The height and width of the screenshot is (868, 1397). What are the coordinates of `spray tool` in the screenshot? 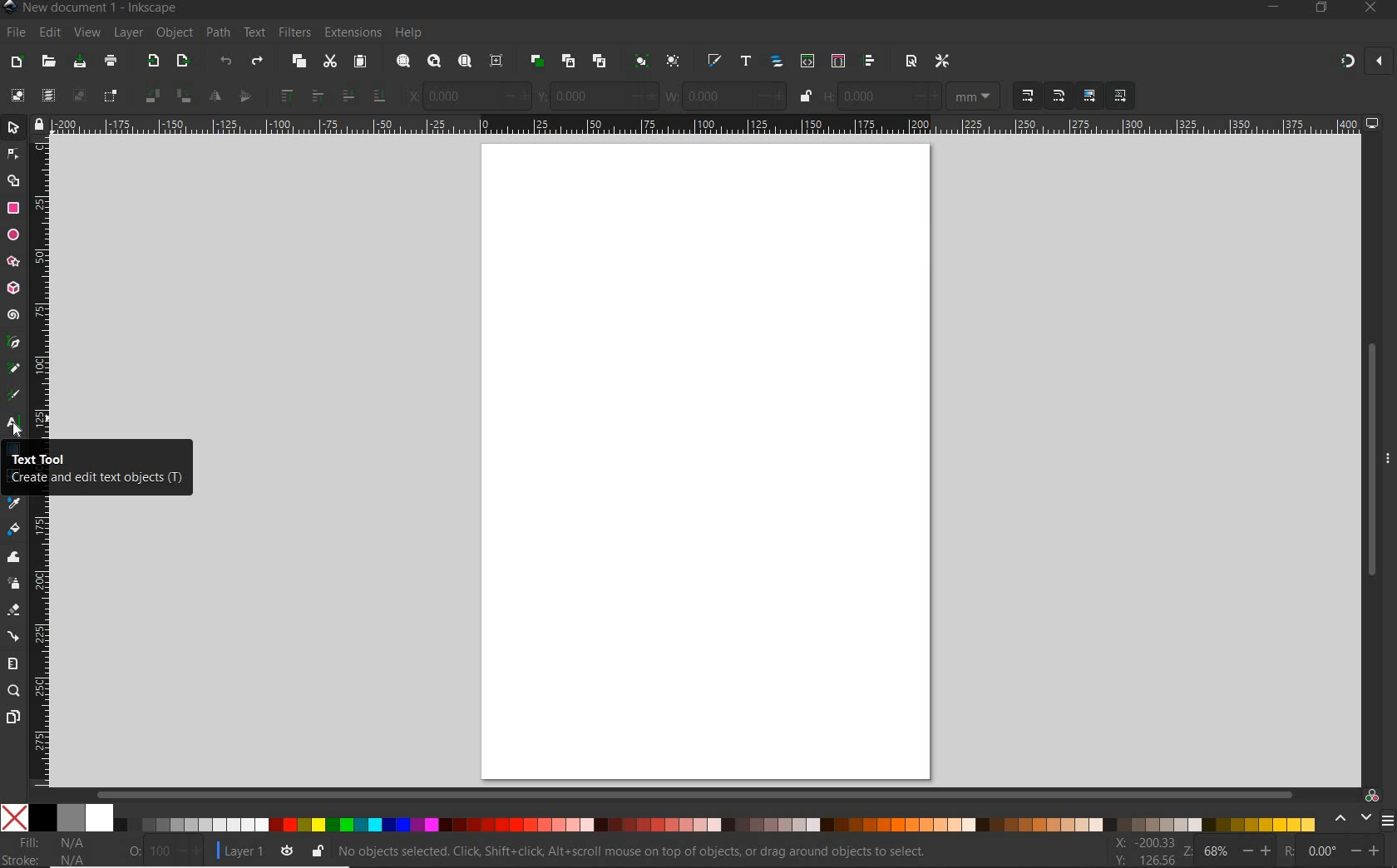 It's located at (13, 584).